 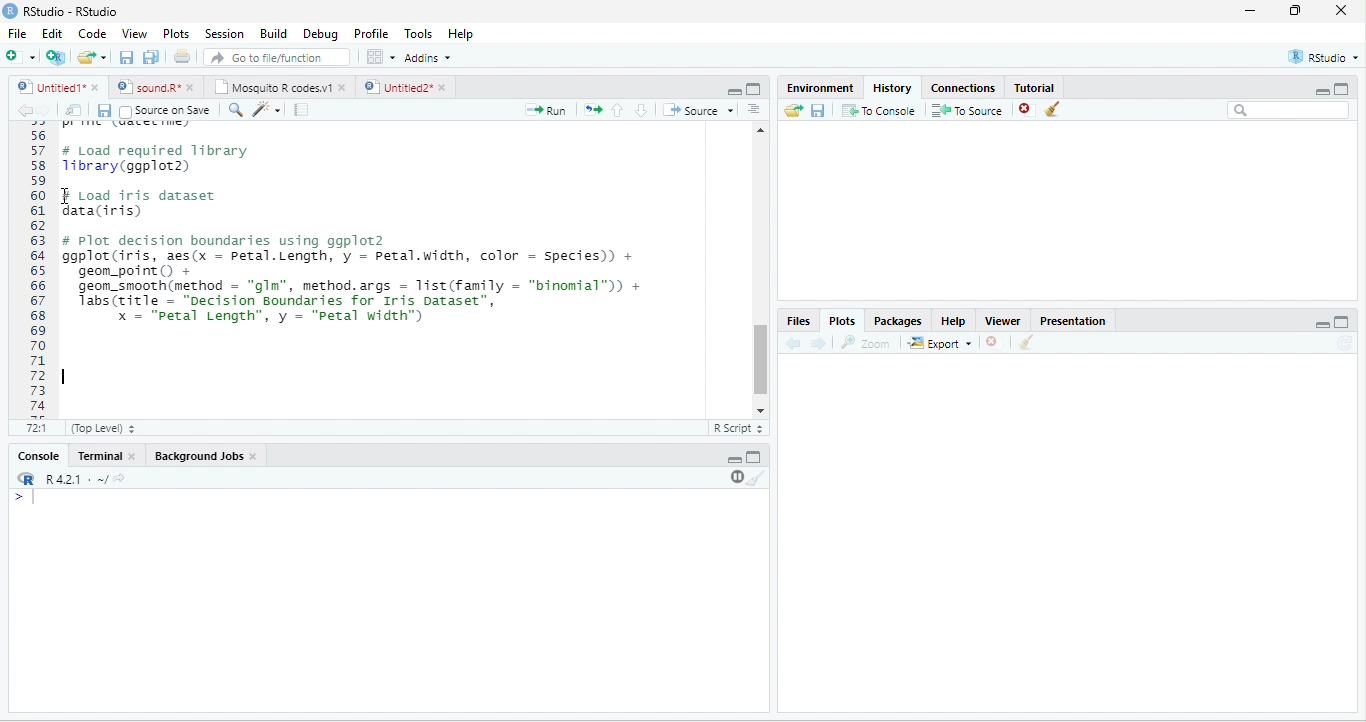 What do you see at coordinates (49, 87) in the screenshot?
I see `Untitled` at bounding box center [49, 87].